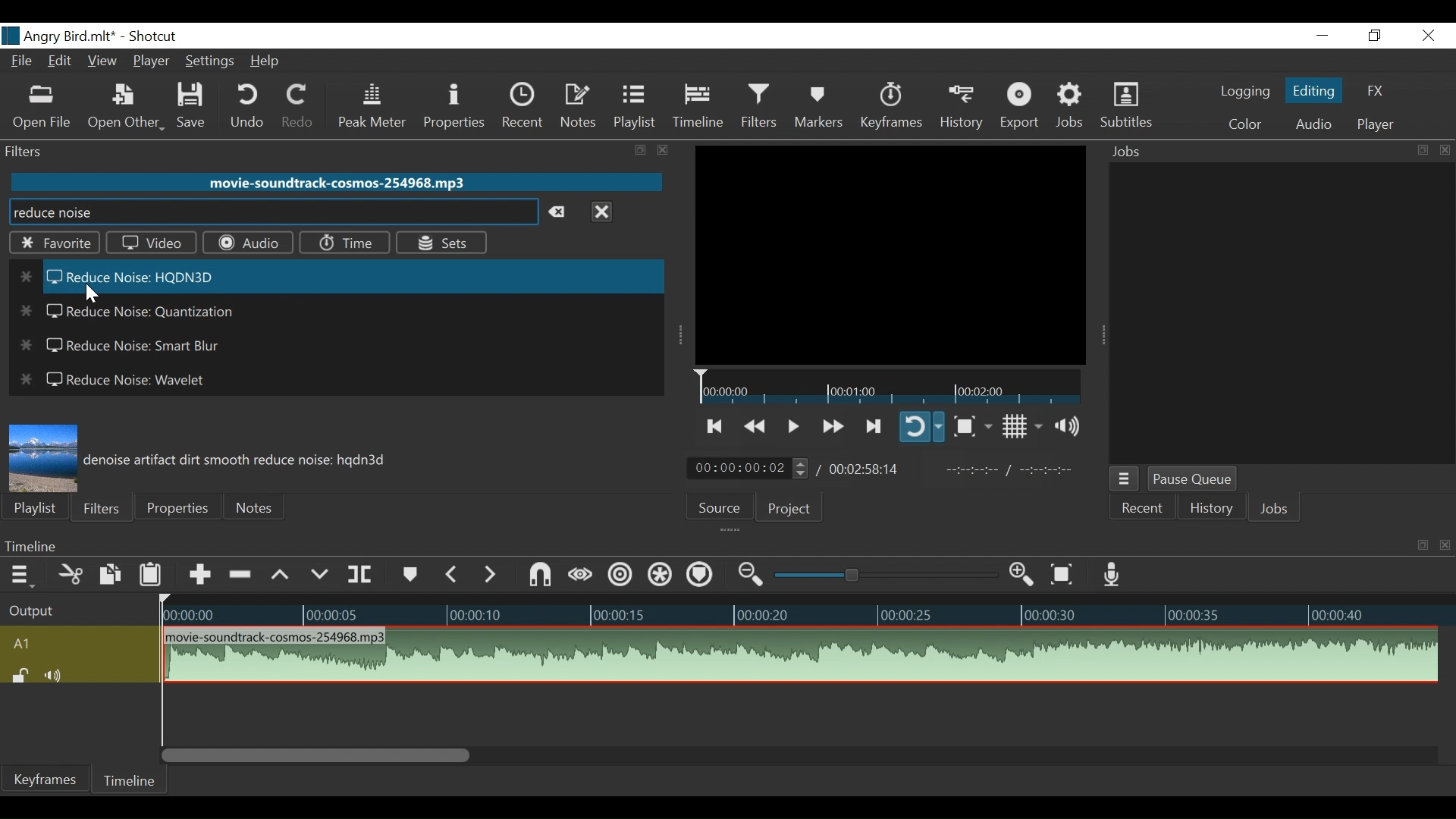 The image size is (1456, 819). I want to click on Previous marker, so click(453, 573).